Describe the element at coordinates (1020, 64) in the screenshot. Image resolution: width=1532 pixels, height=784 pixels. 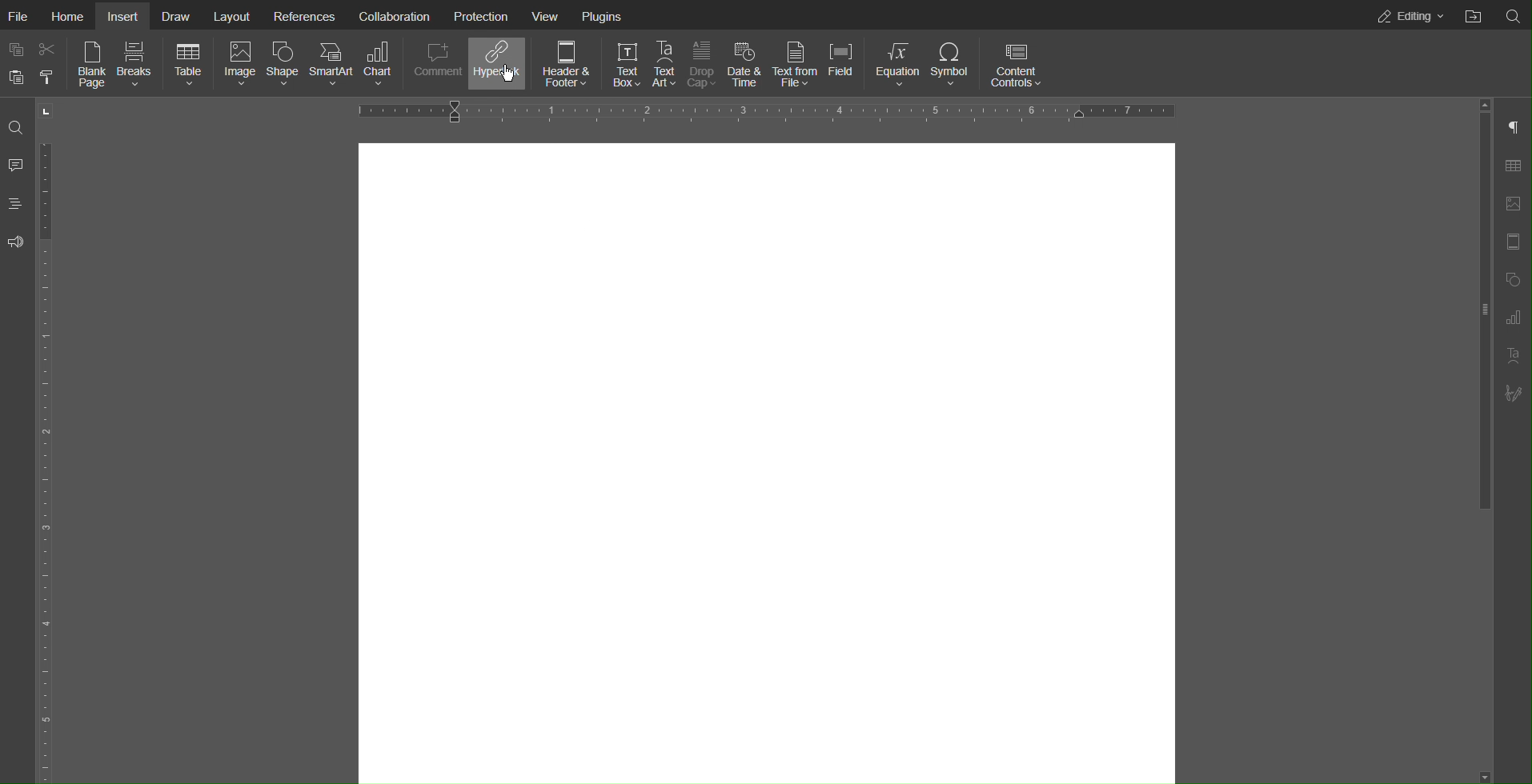
I see `Content Controls` at that location.